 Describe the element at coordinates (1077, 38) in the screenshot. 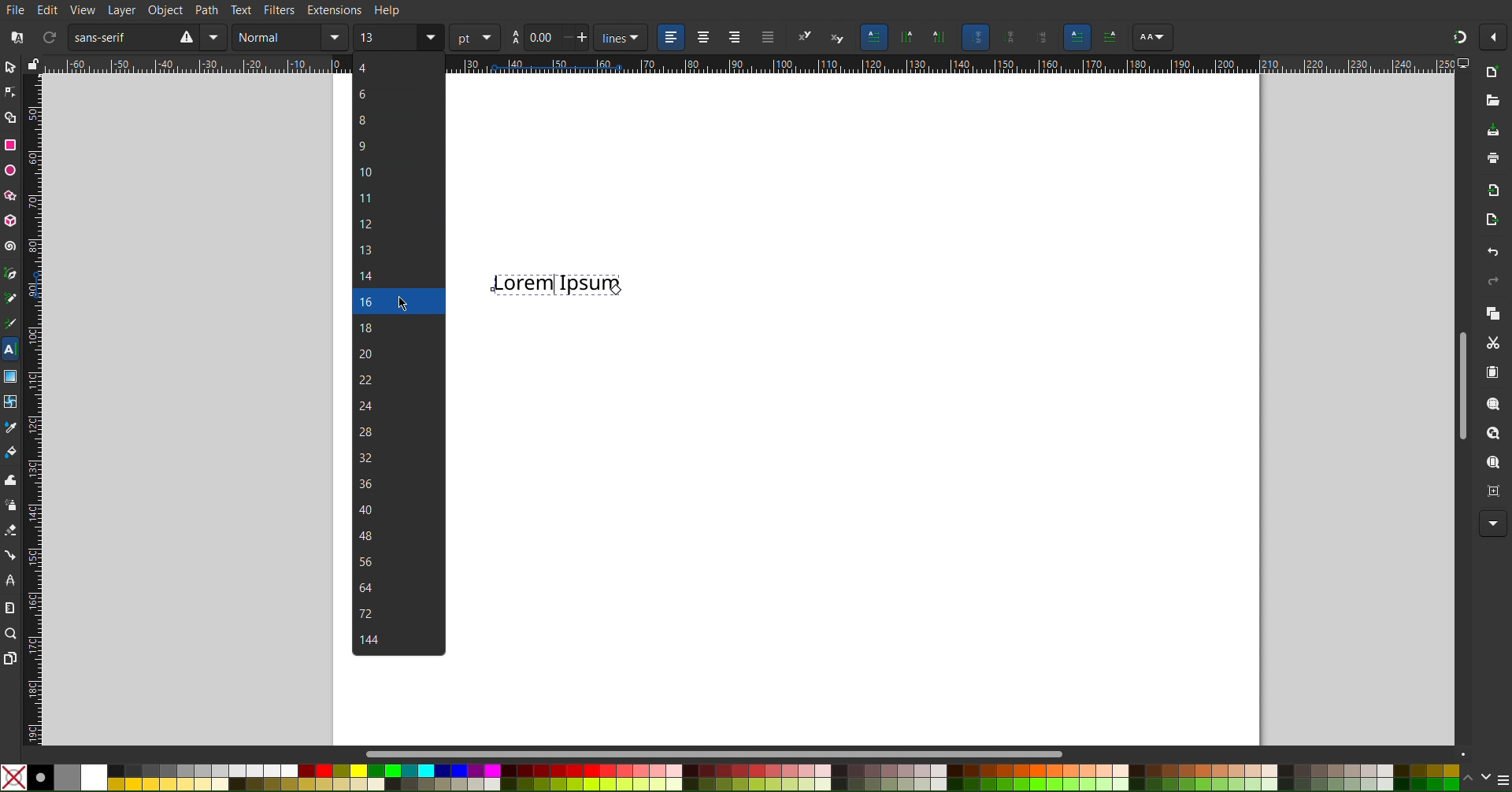

I see `` at that location.